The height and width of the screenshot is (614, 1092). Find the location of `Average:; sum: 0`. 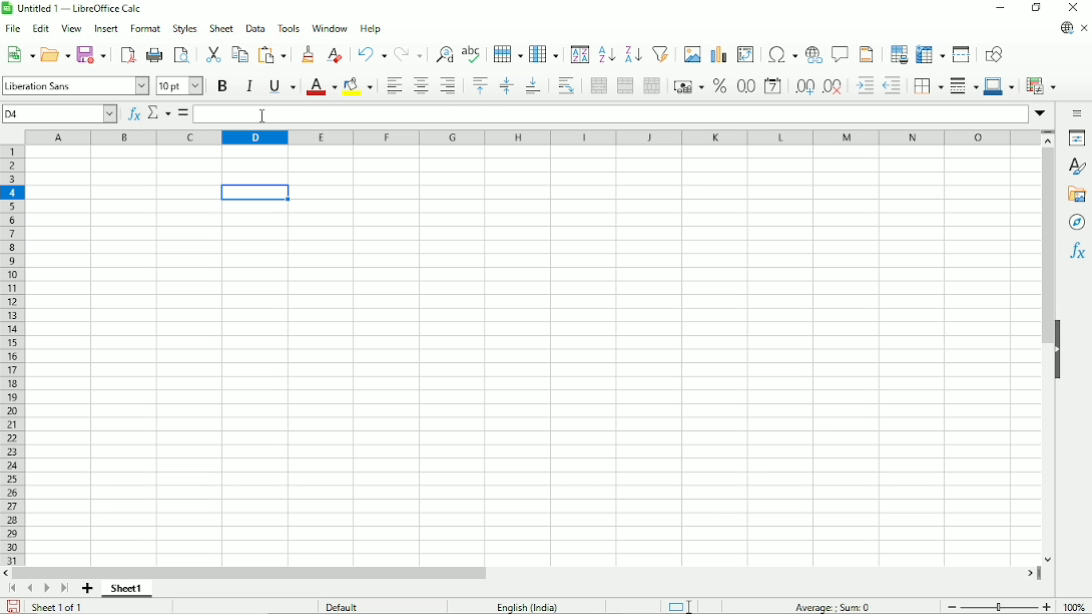

Average:; sum: 0 is located at coordinates (832, 606).